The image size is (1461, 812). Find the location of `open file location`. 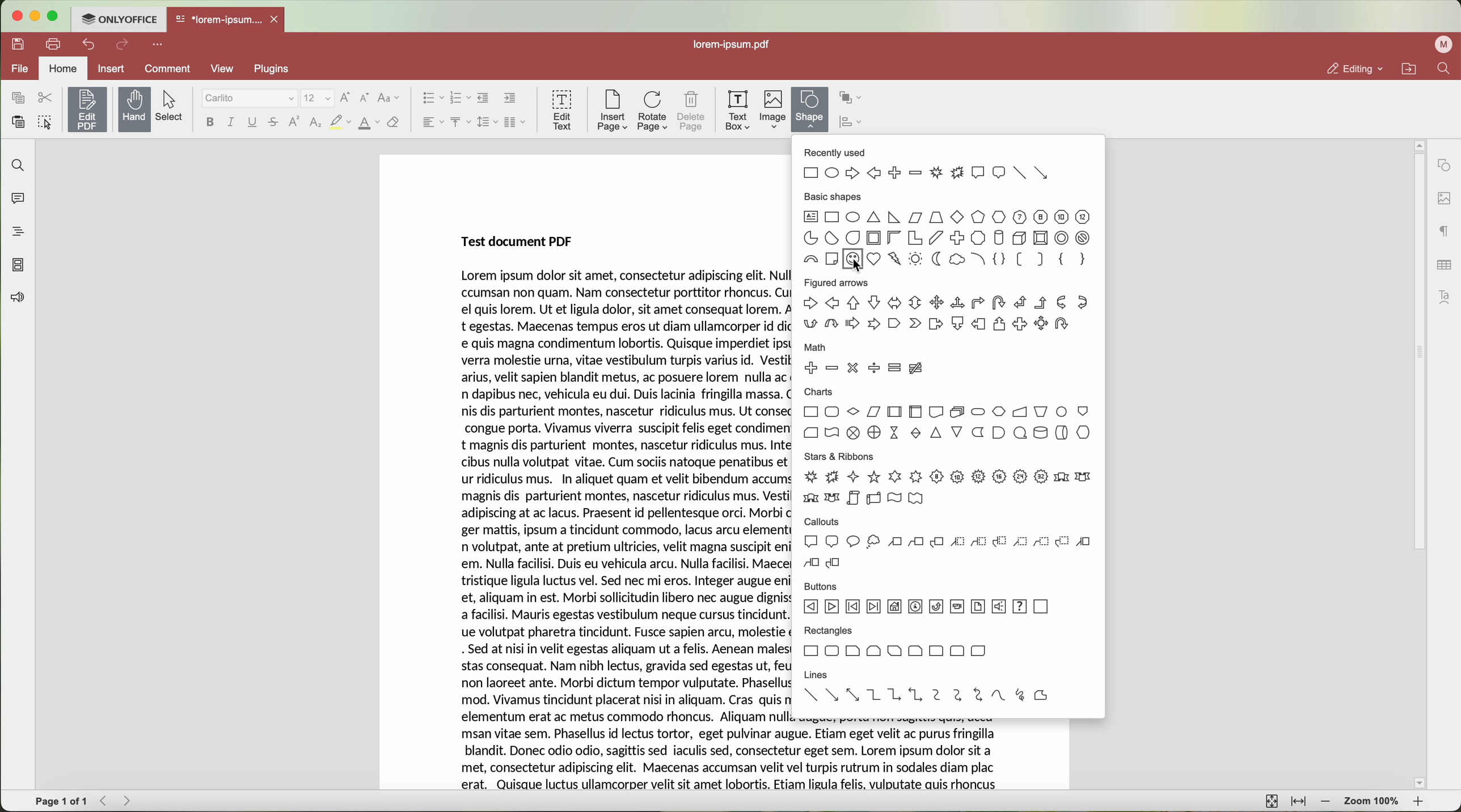

open file location is located at coordinates (1409, 69).